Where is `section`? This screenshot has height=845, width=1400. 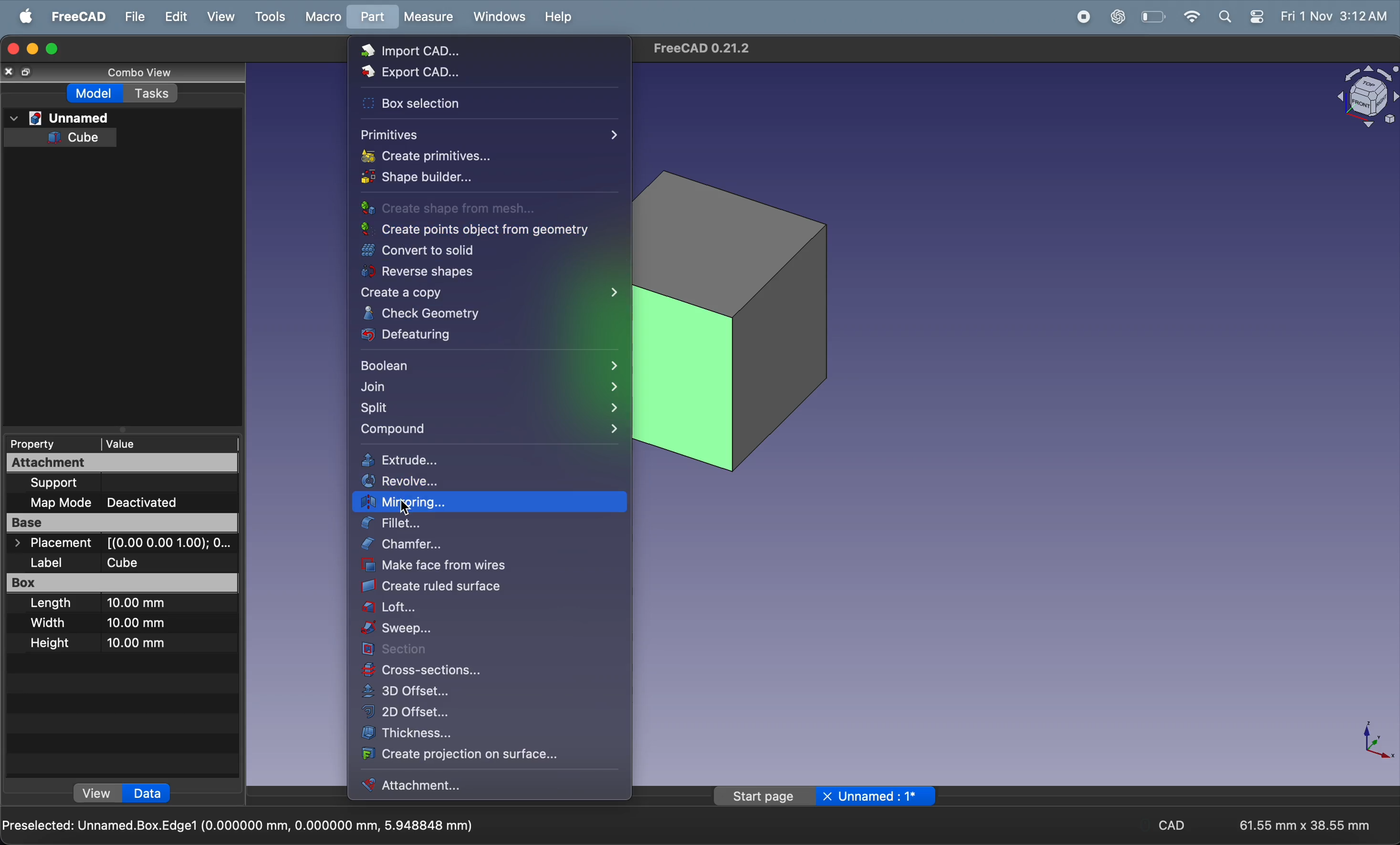 section is located at coordinates (495, 650).